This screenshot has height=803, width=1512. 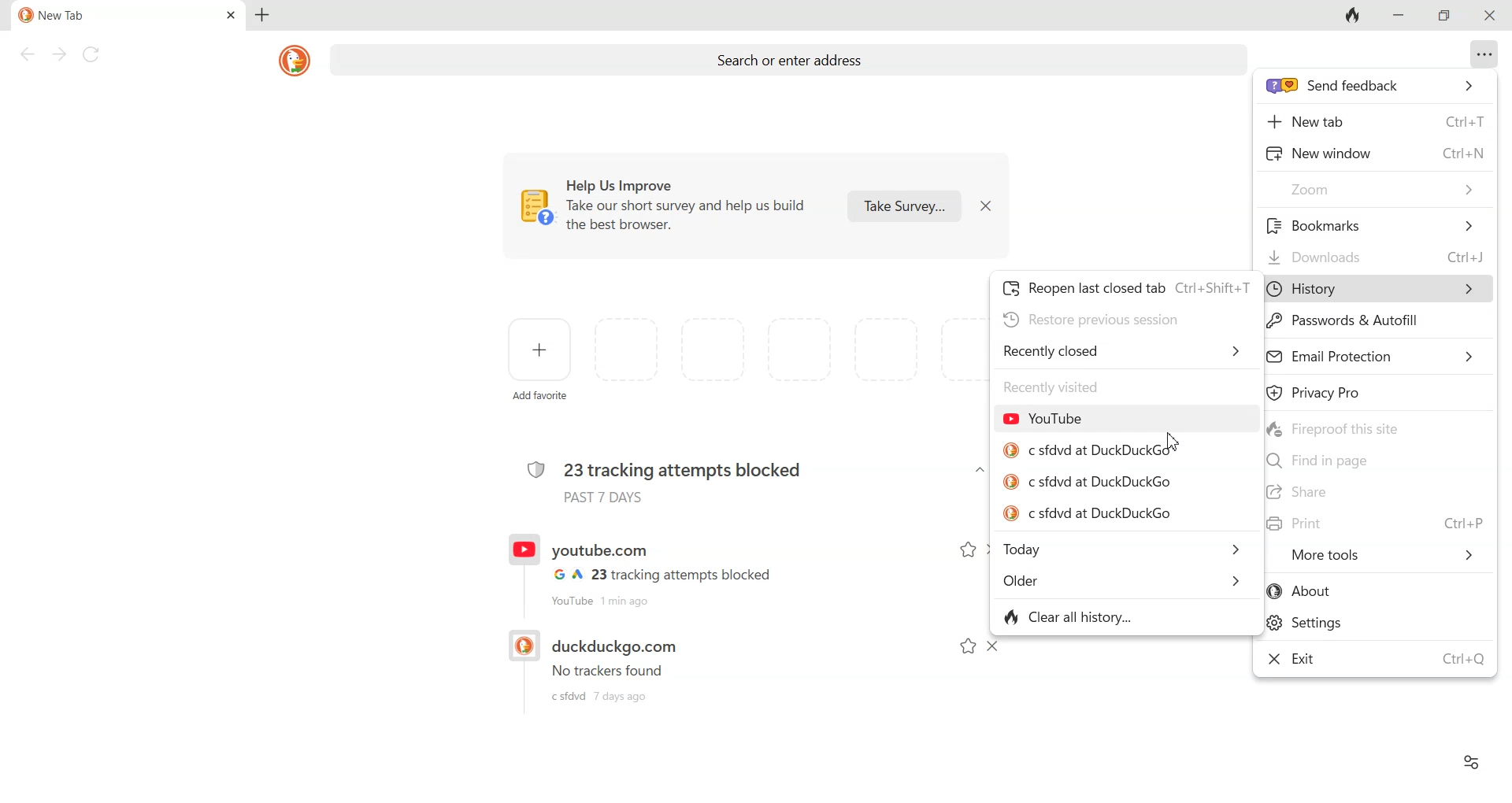 I want to click on Search or enter address, so click(x=792, y=62).